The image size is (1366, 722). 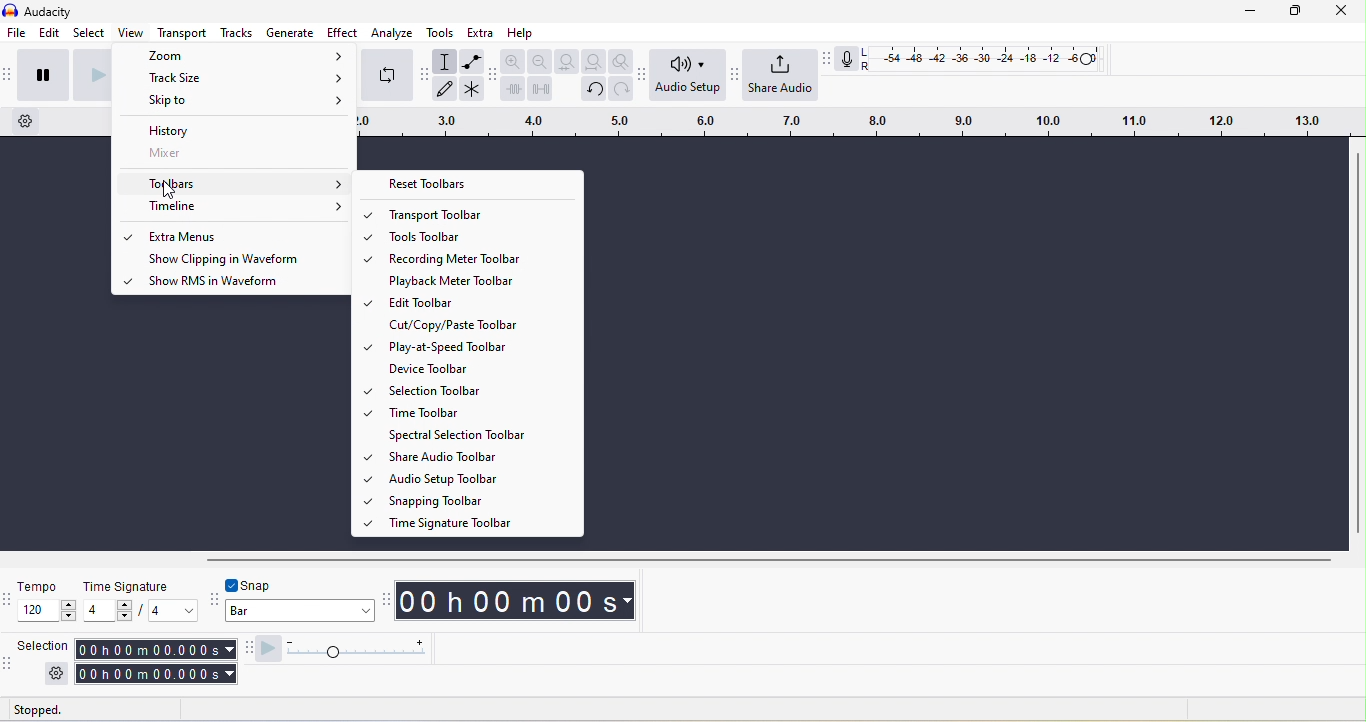 What do you see at coordinates (170, 190) in the screenshot?
I see `cursor` at bounding box center [170, 190].